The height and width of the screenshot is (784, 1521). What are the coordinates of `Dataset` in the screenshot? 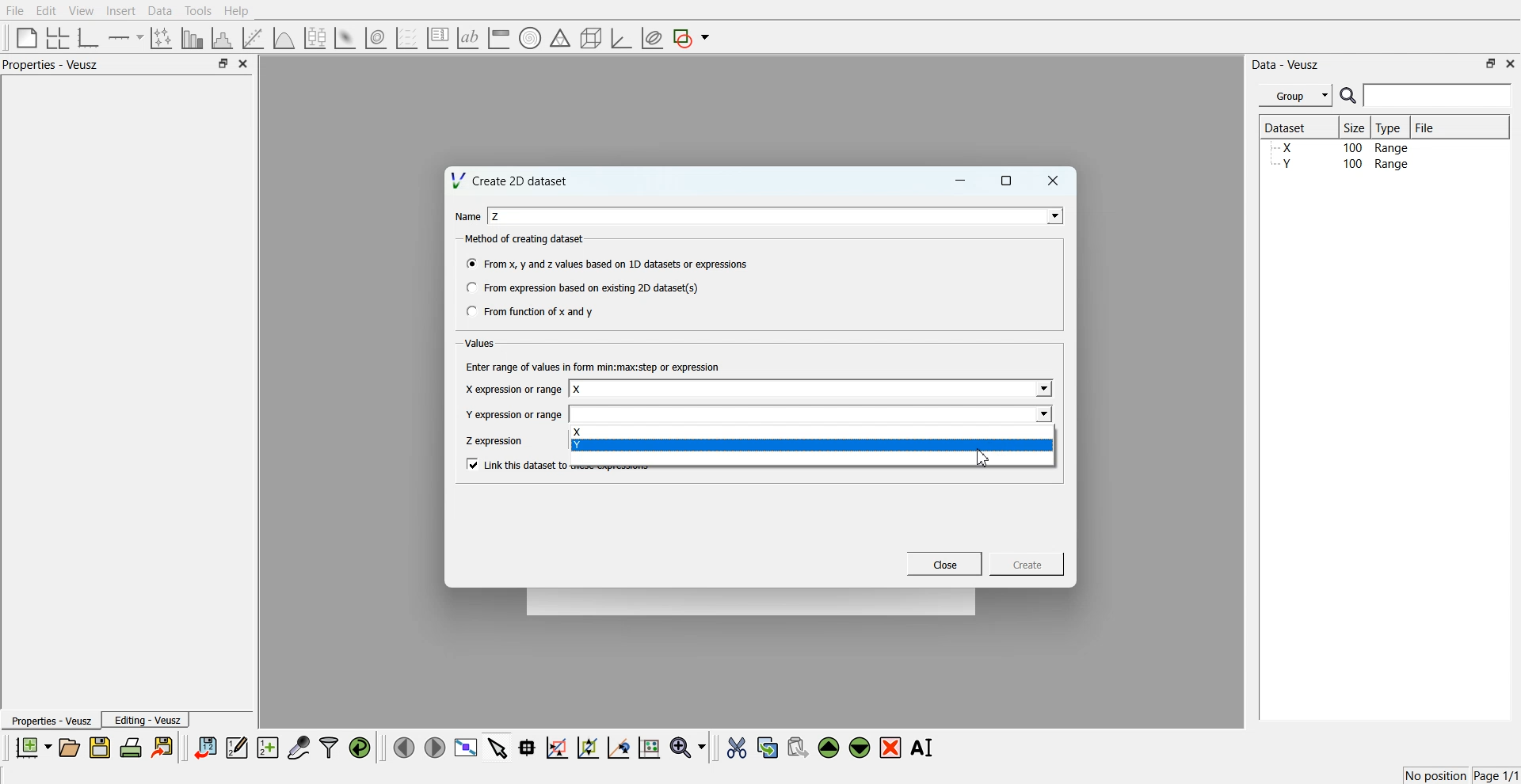 It's located at (1293, 127).